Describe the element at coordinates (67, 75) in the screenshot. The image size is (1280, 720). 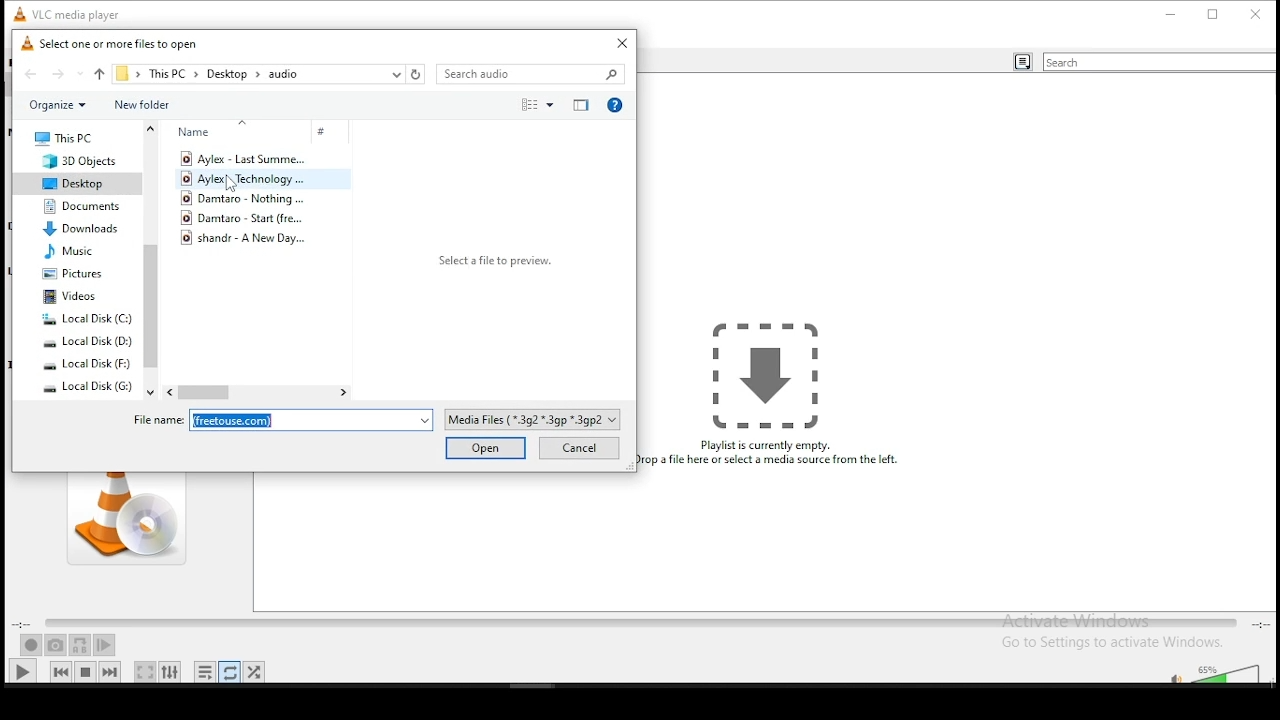
I see `forward` at that location.